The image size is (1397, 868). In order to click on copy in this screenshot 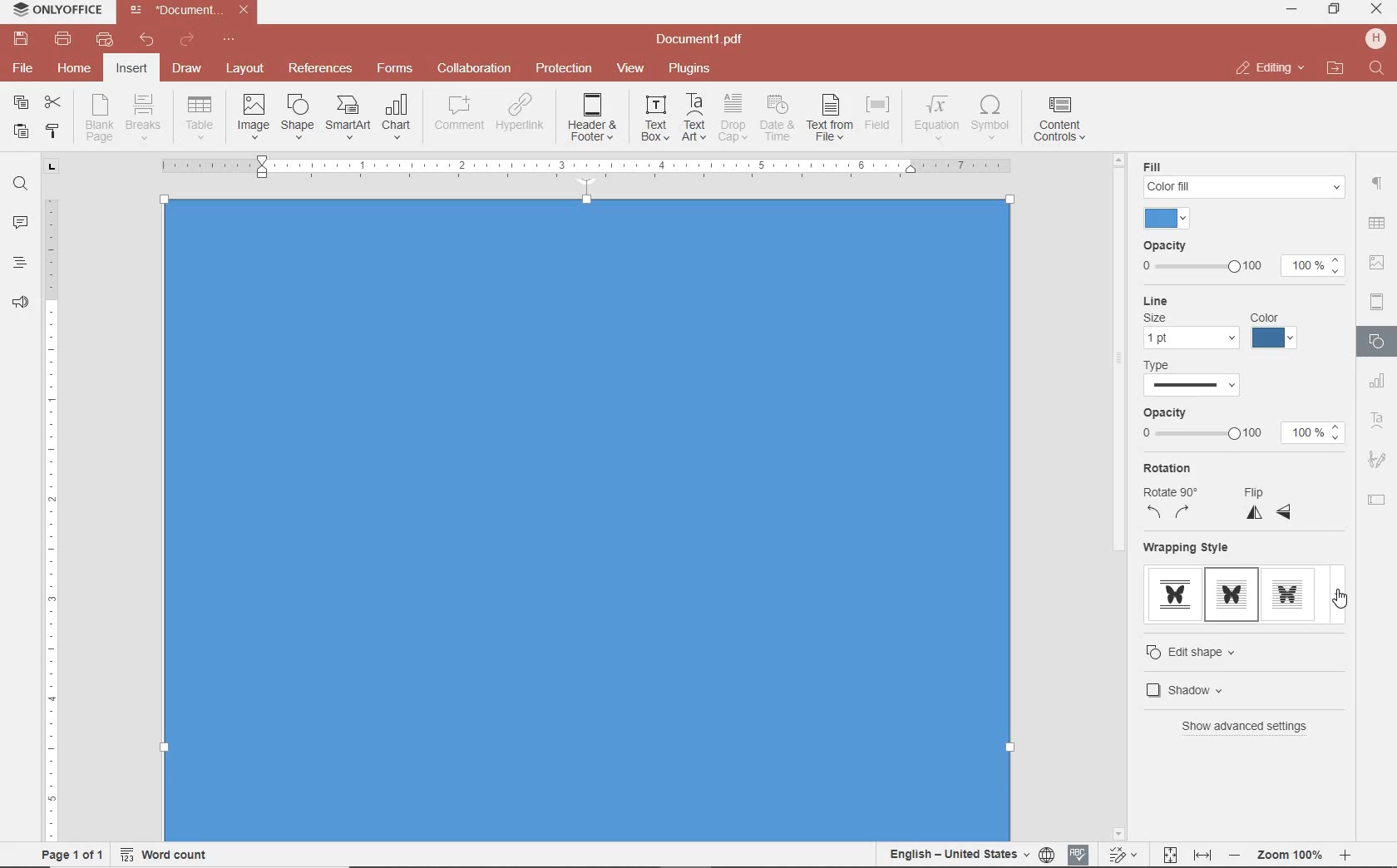, I will do `click(21, 104)`.